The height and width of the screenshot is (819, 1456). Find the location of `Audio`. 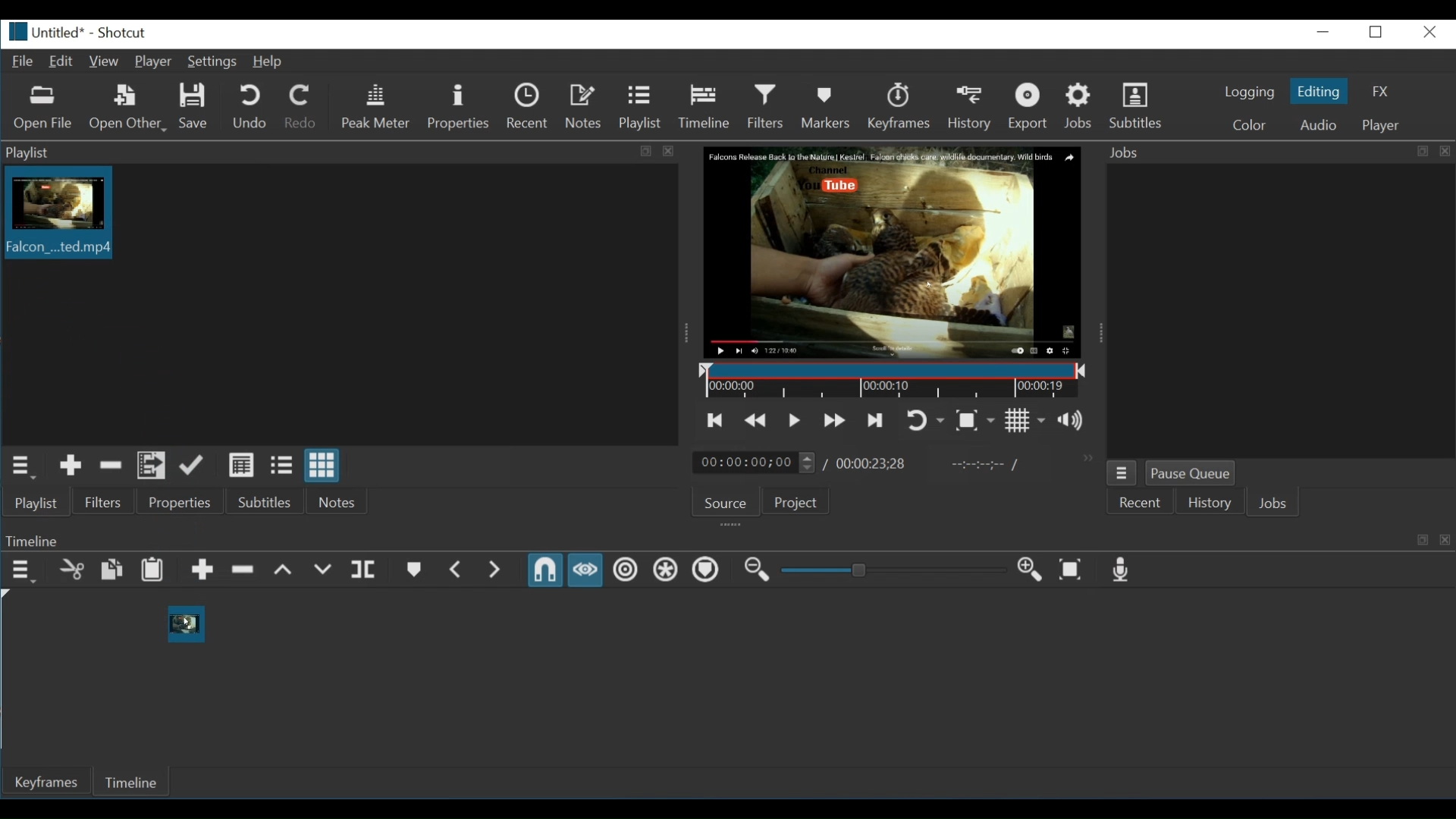

Audio is located at coordinates (1317, 124).